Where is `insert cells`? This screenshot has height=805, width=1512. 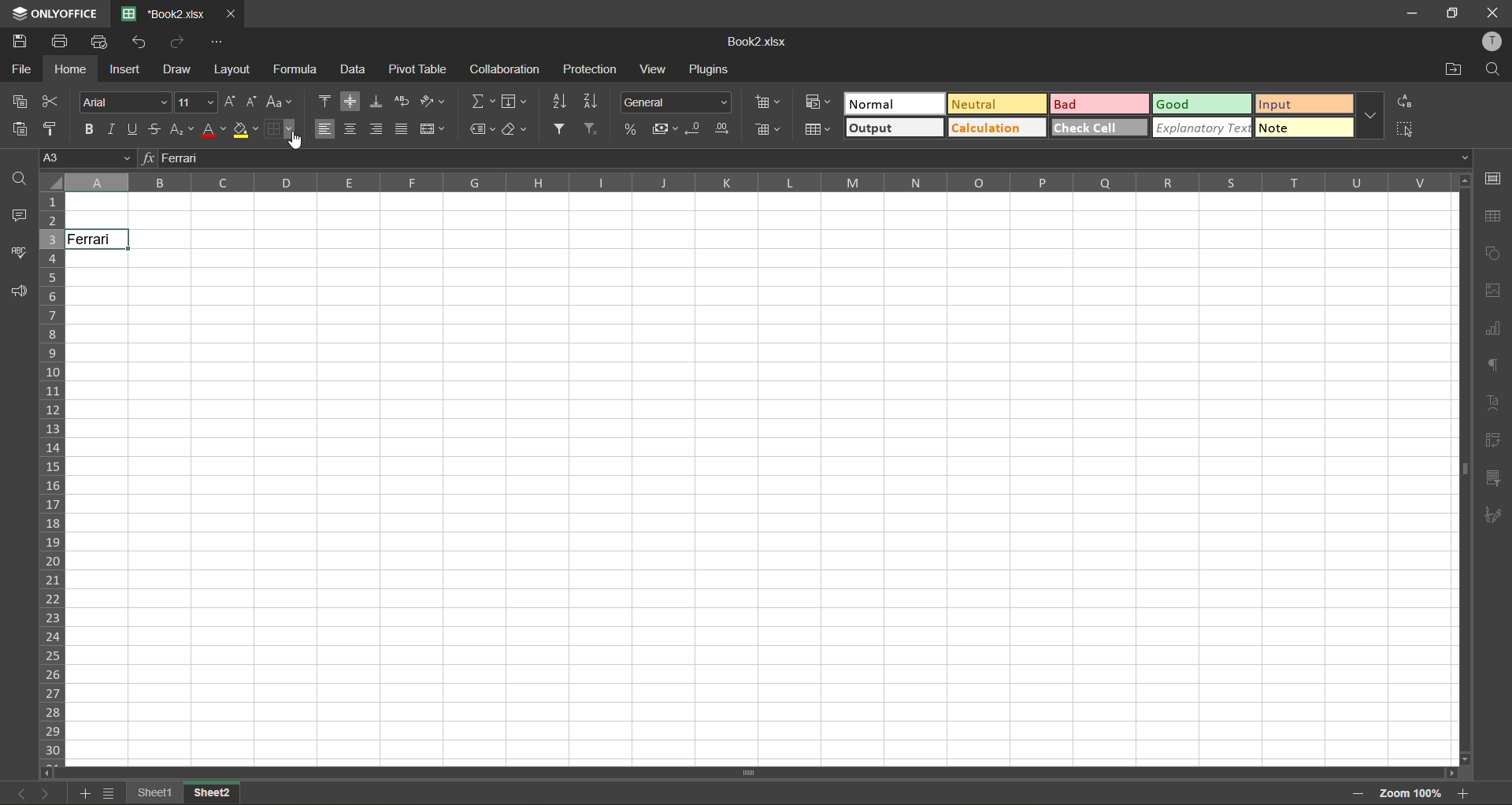
insert cells is located at coordinates (766, 105).